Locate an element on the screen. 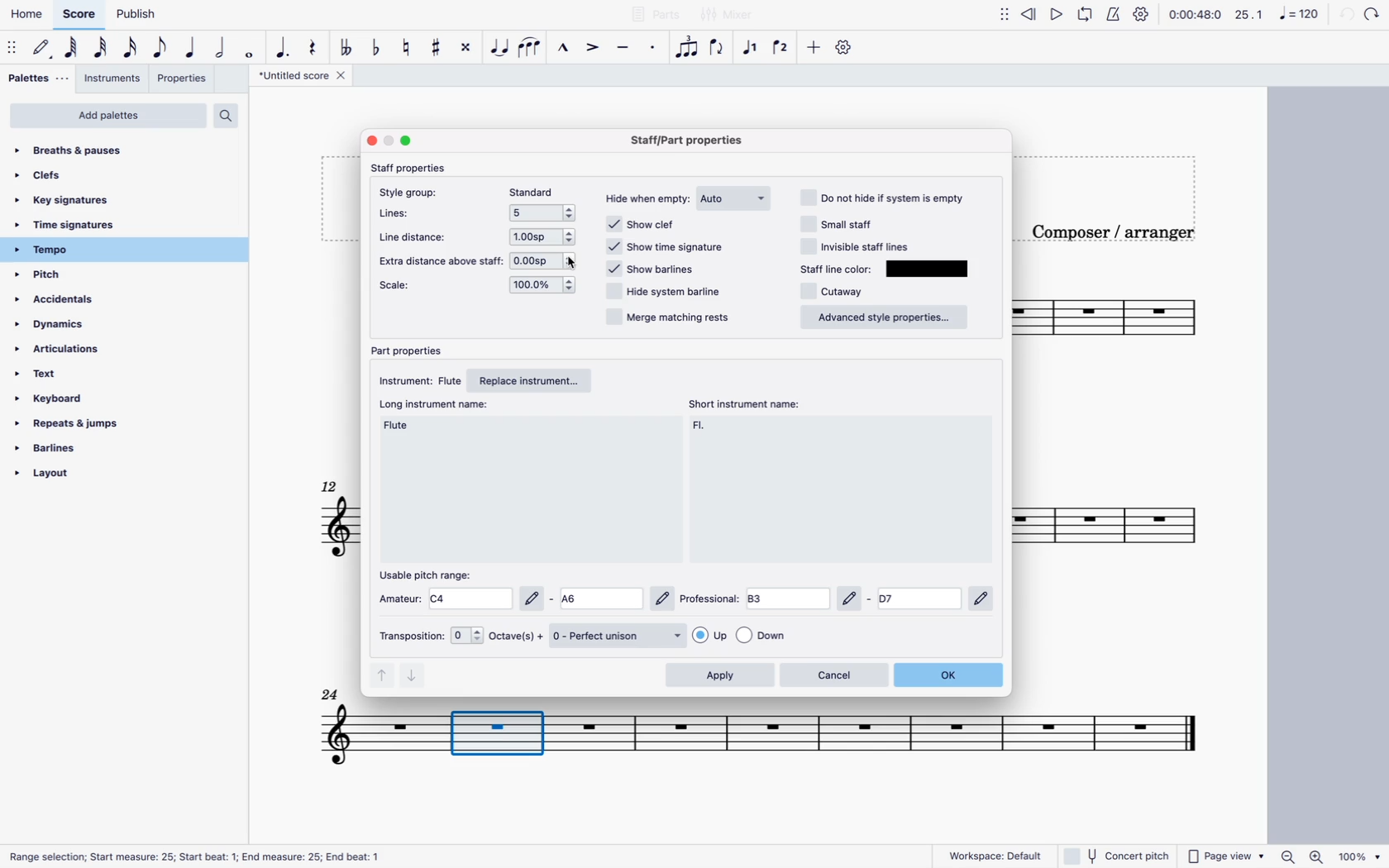 The width and height of the screenshot is (1389, 868). rest is located at coordinates (314, 46).